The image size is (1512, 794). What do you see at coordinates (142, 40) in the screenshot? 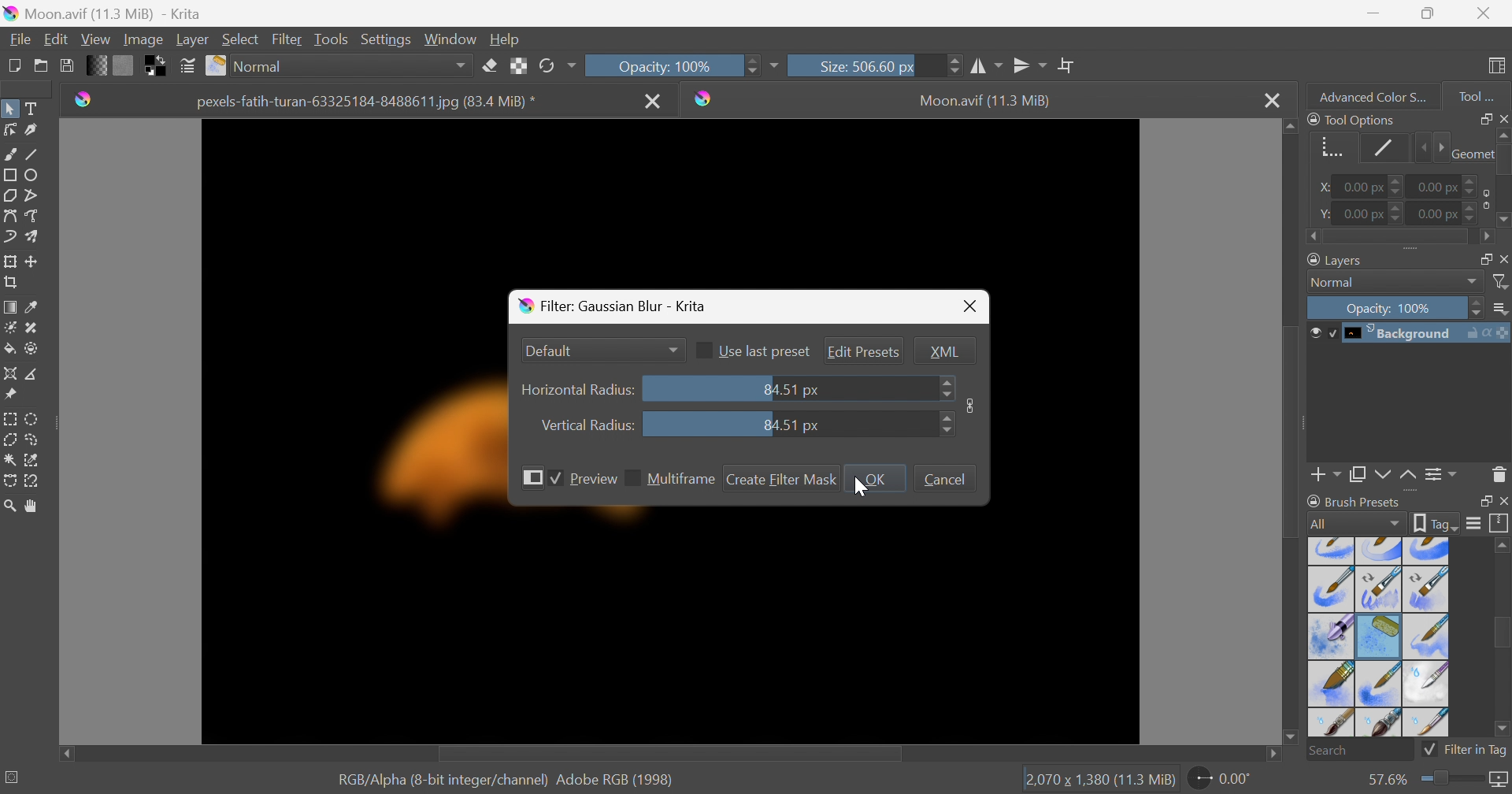
I see `Image` at bounding box center [142, 40].